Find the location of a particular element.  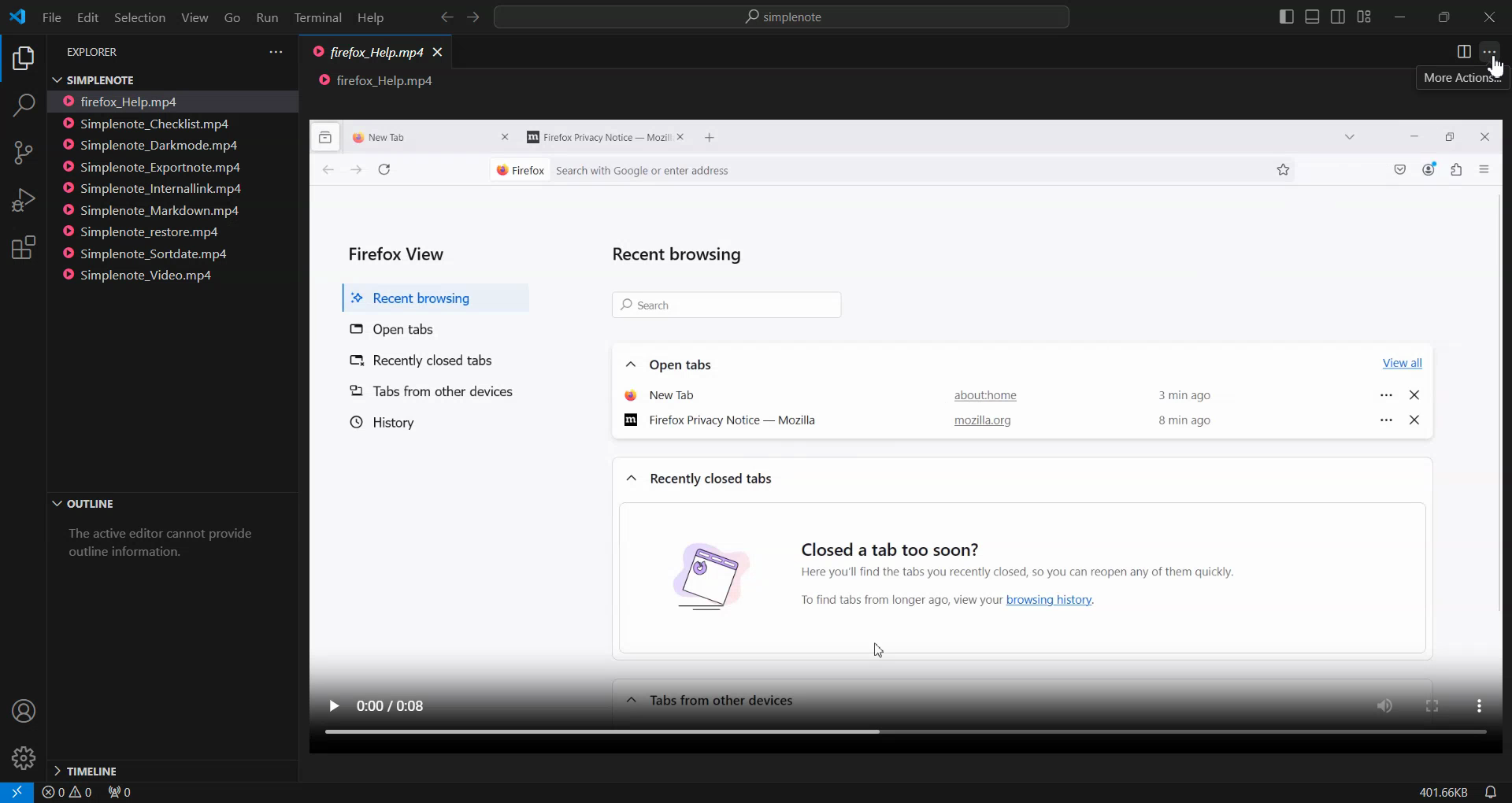

Go is located at coordinates (232, 18).